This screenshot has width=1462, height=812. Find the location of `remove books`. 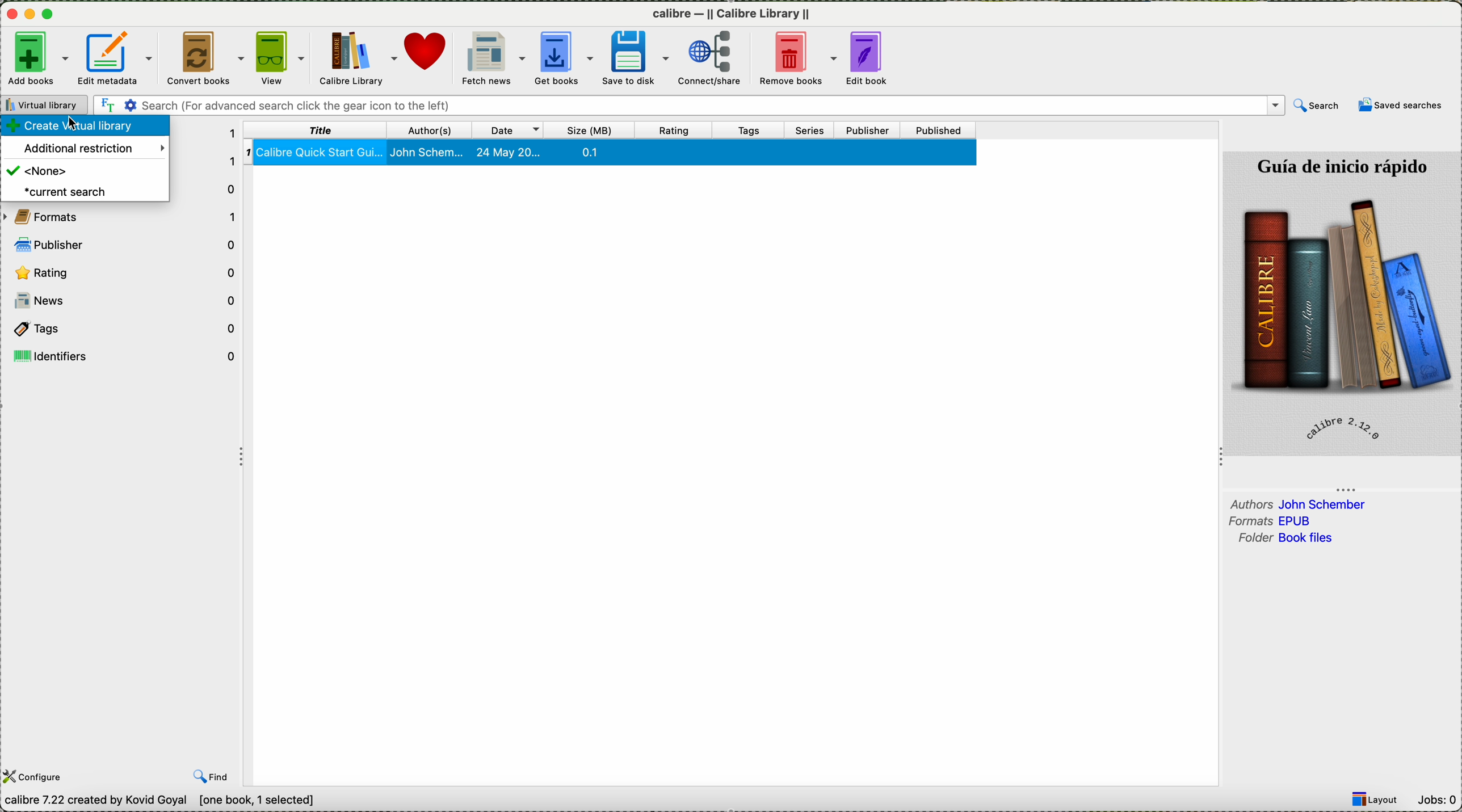

remove books is located at coordinates (802, 59).